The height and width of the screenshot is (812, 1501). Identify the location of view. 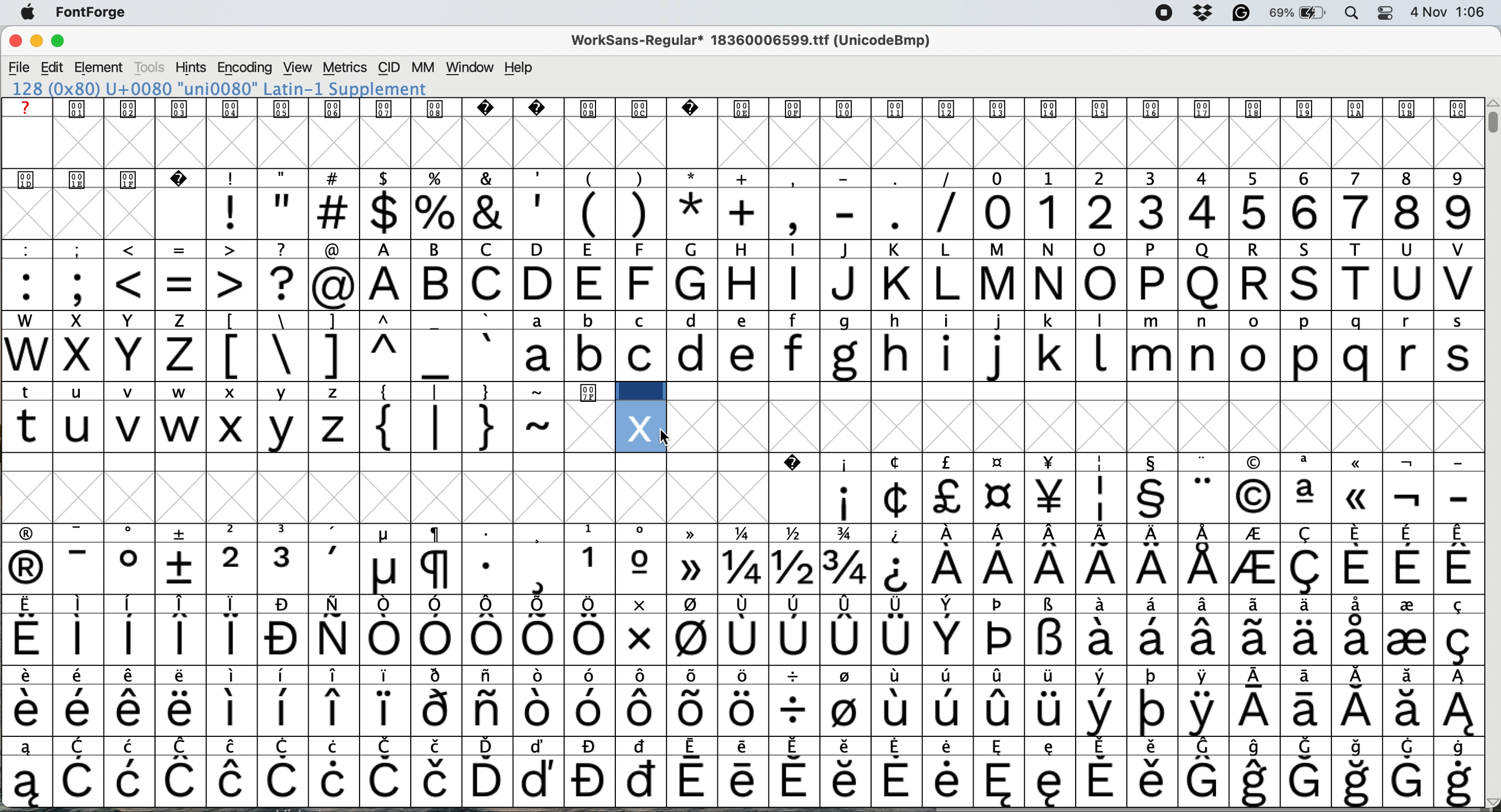
(295, 68).